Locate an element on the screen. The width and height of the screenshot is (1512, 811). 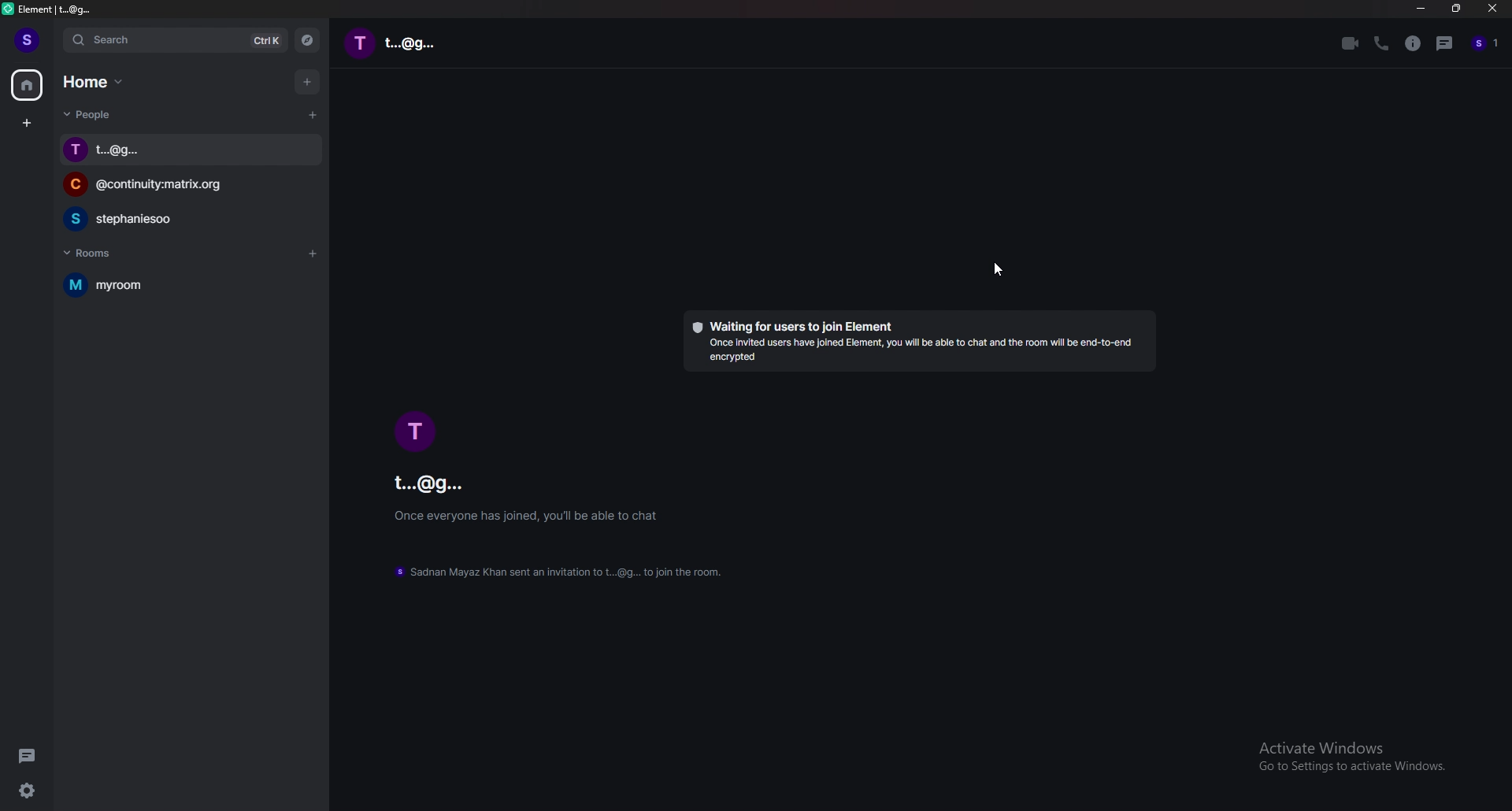
resize is located at coordinates (1458, 9).